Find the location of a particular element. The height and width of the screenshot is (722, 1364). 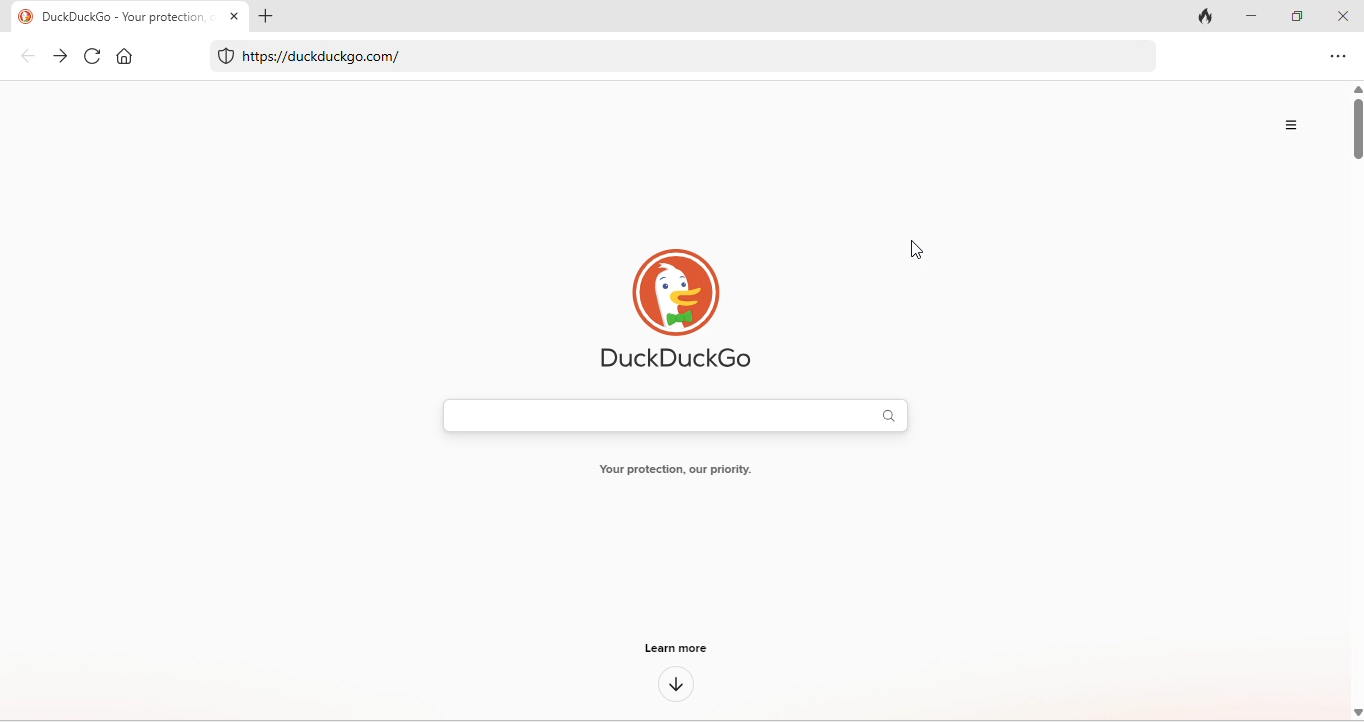

refresh is located at coordinates (91, 58).